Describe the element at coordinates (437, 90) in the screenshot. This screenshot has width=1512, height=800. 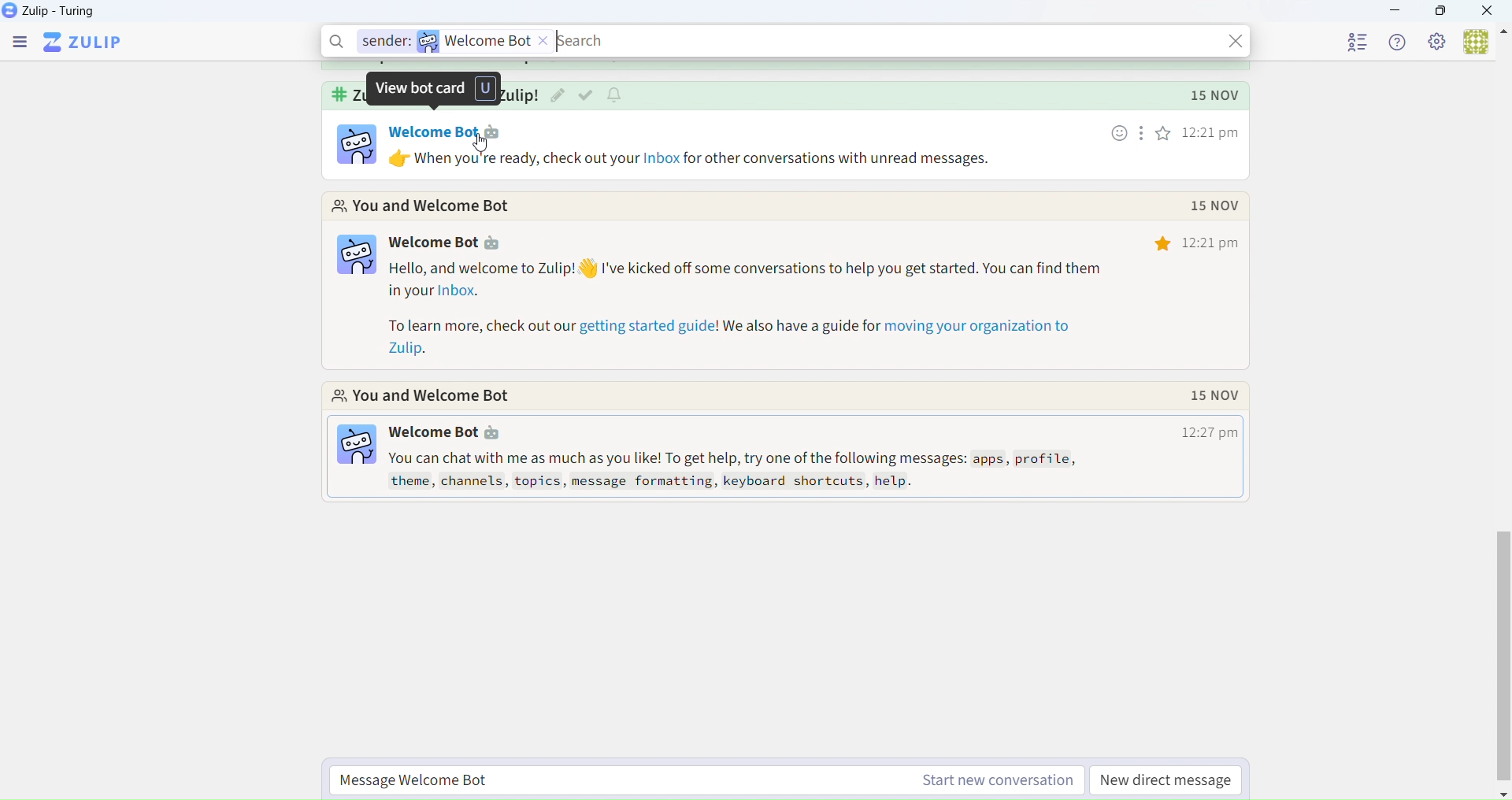
I see `view bot card` at that location.